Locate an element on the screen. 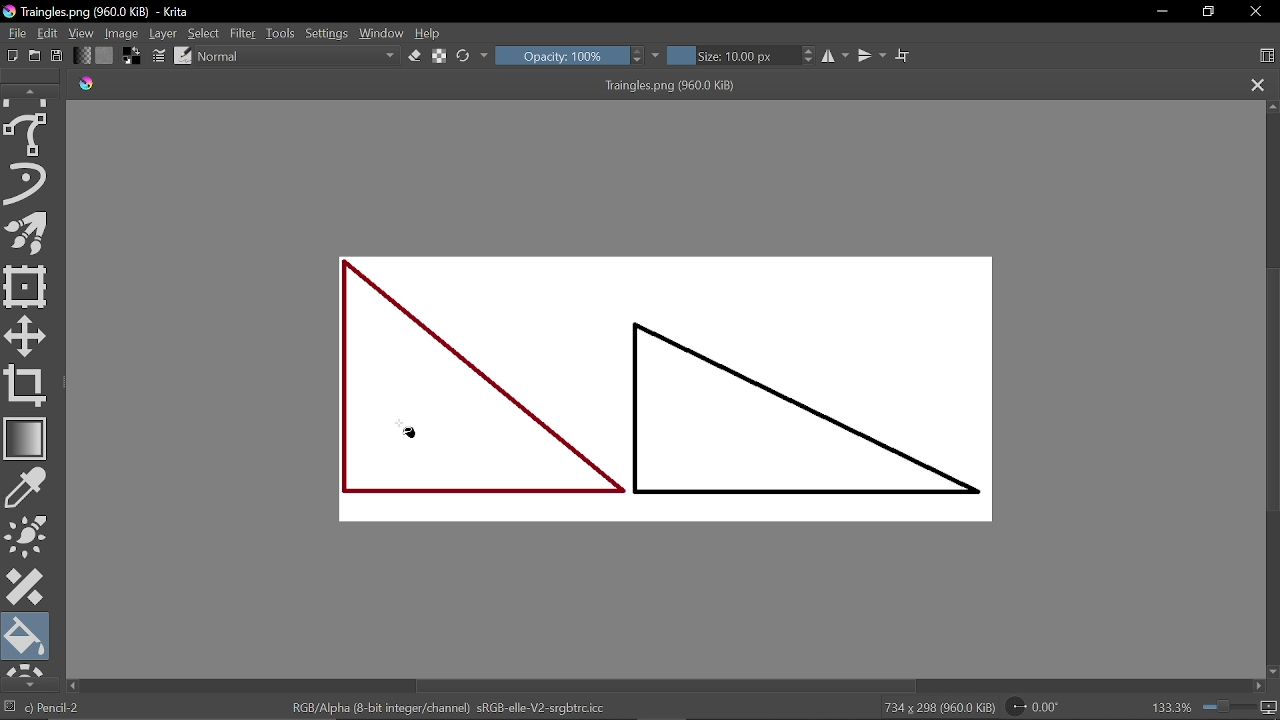  c) Pencil-2 is located at coordinates (53, 708).